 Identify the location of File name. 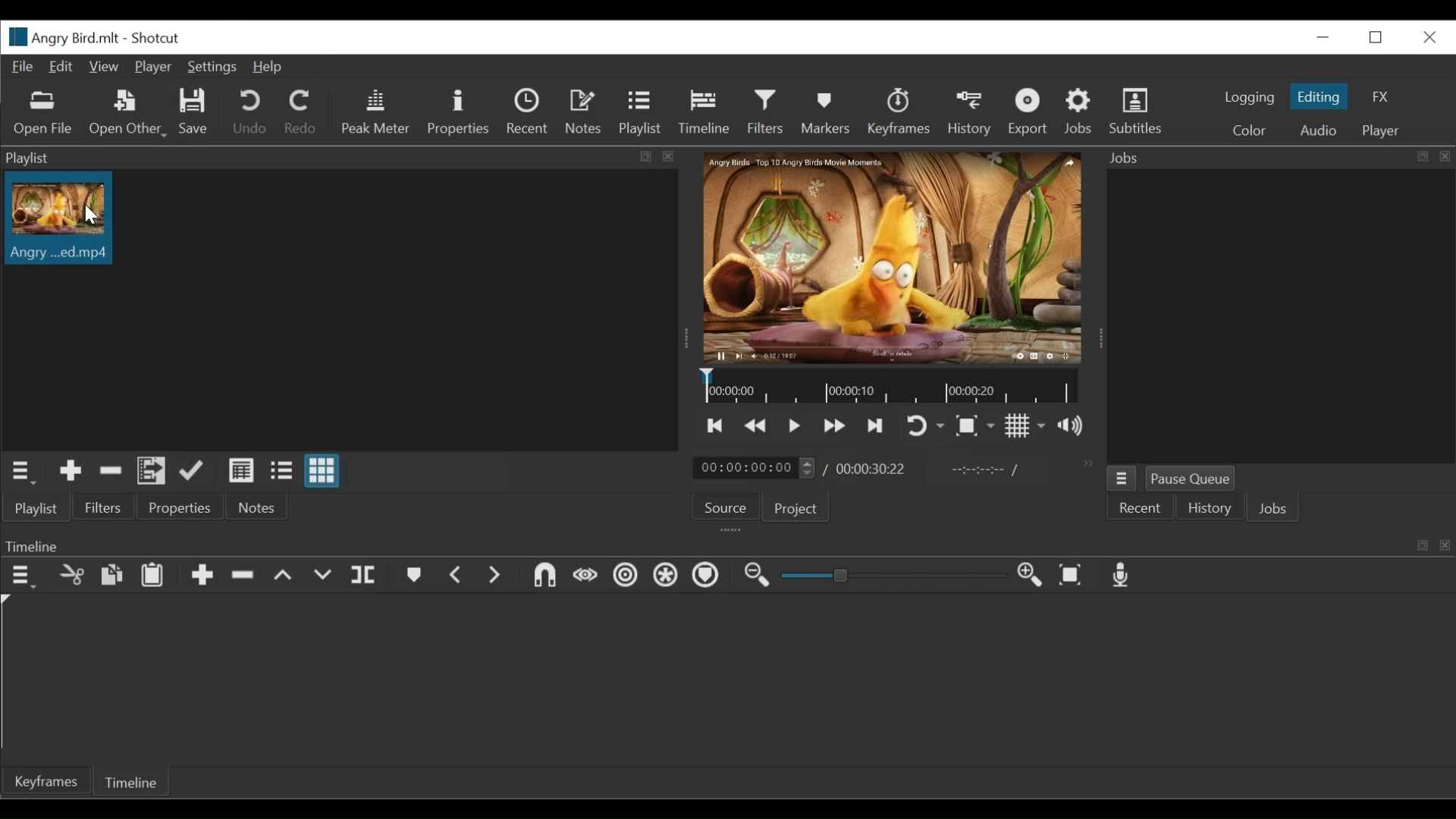
(62, 37).